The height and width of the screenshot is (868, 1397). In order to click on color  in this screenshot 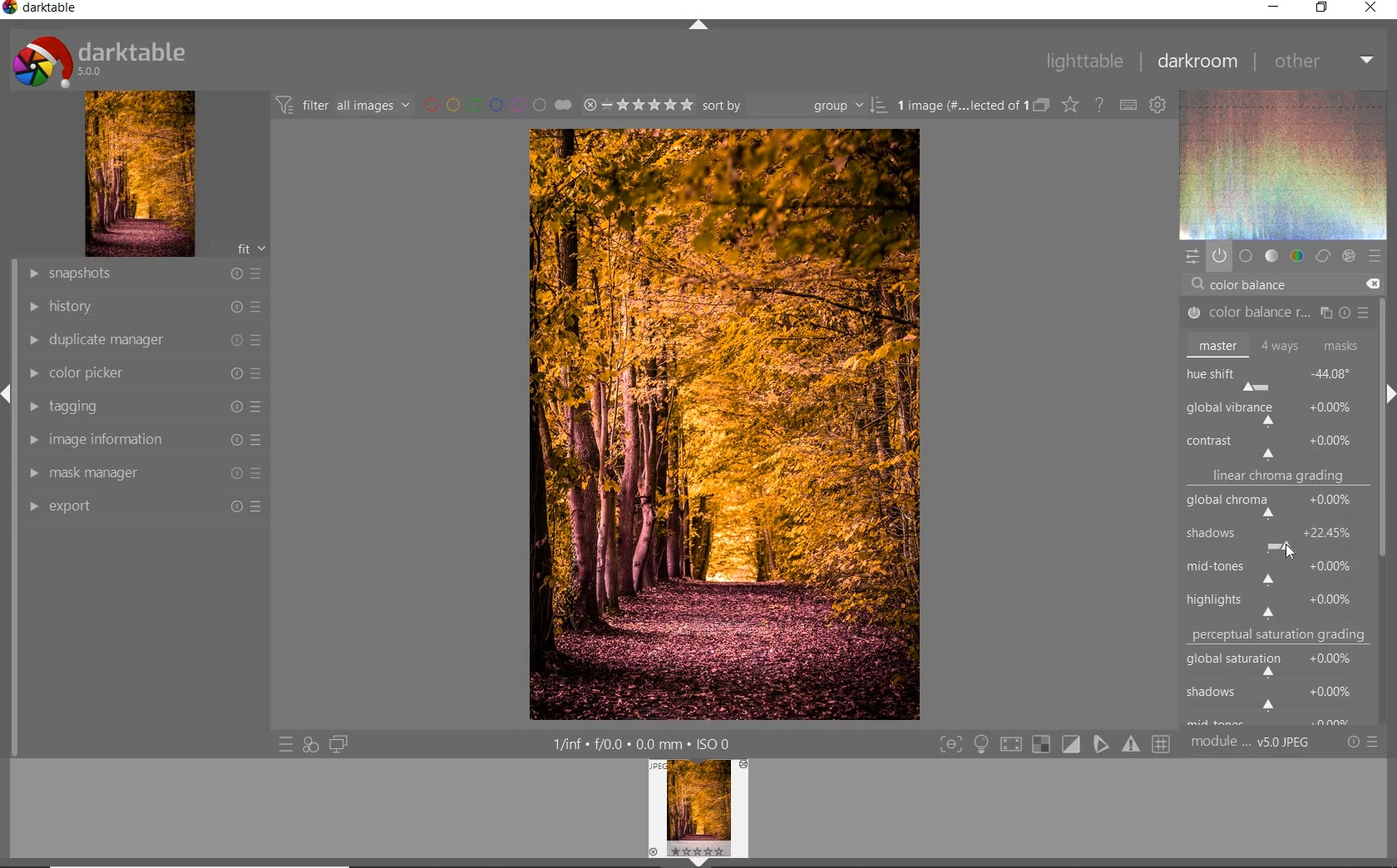, I will do `click(1296, 256)`.